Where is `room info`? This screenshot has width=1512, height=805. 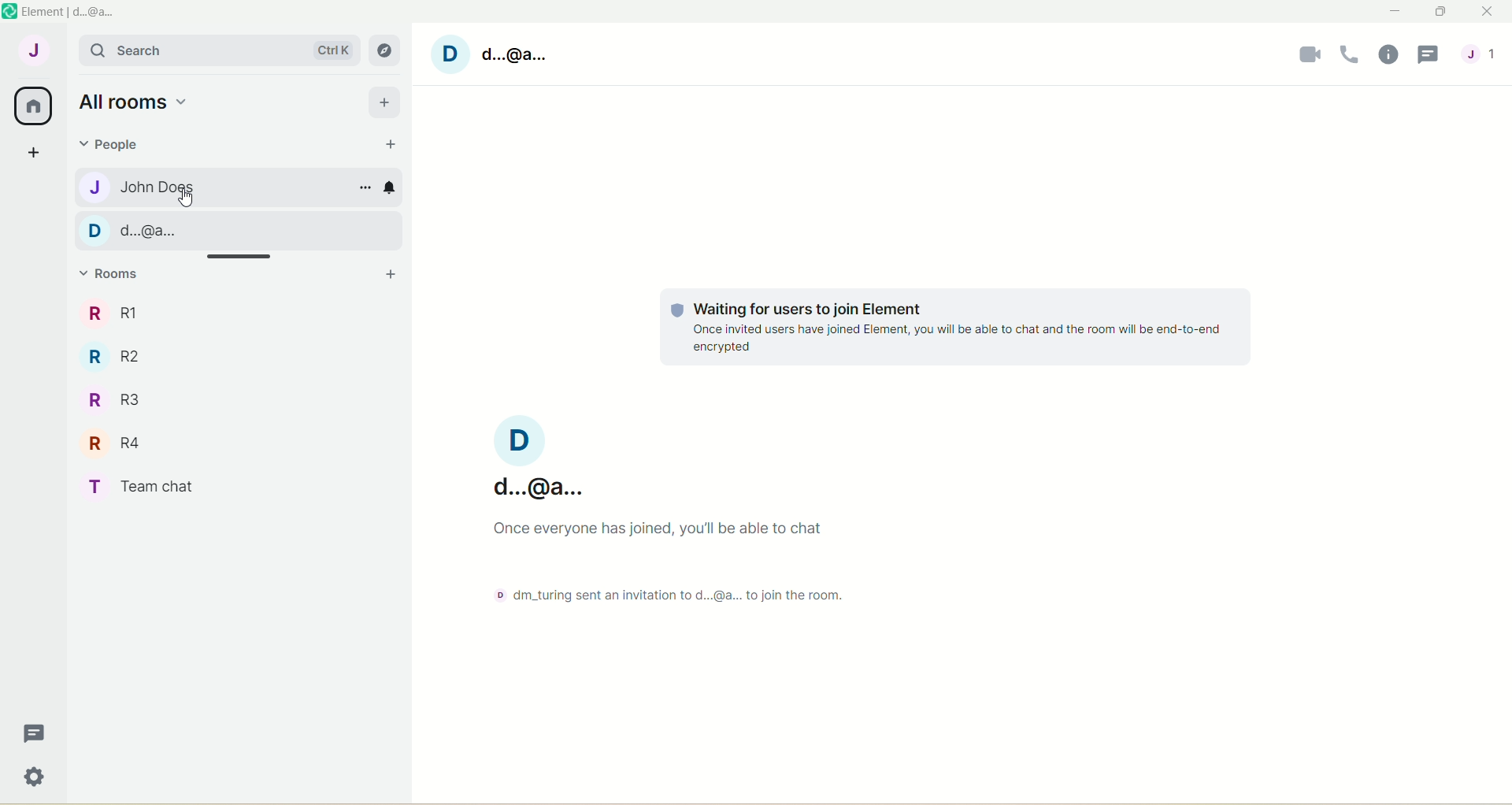 room info is located at coordinates (1386, 57).